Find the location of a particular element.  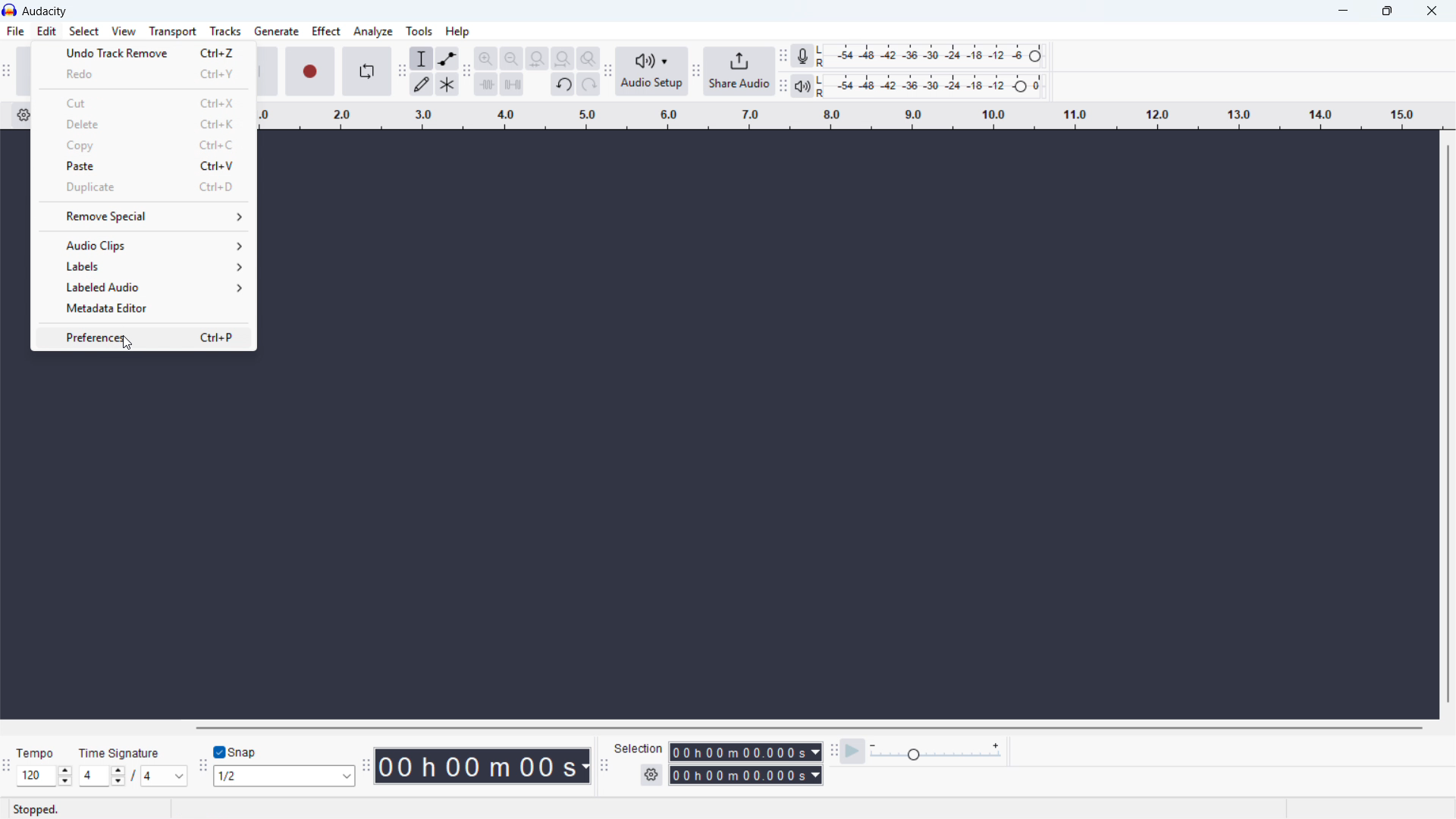

toggle snap is located at coordinates (234, 753).